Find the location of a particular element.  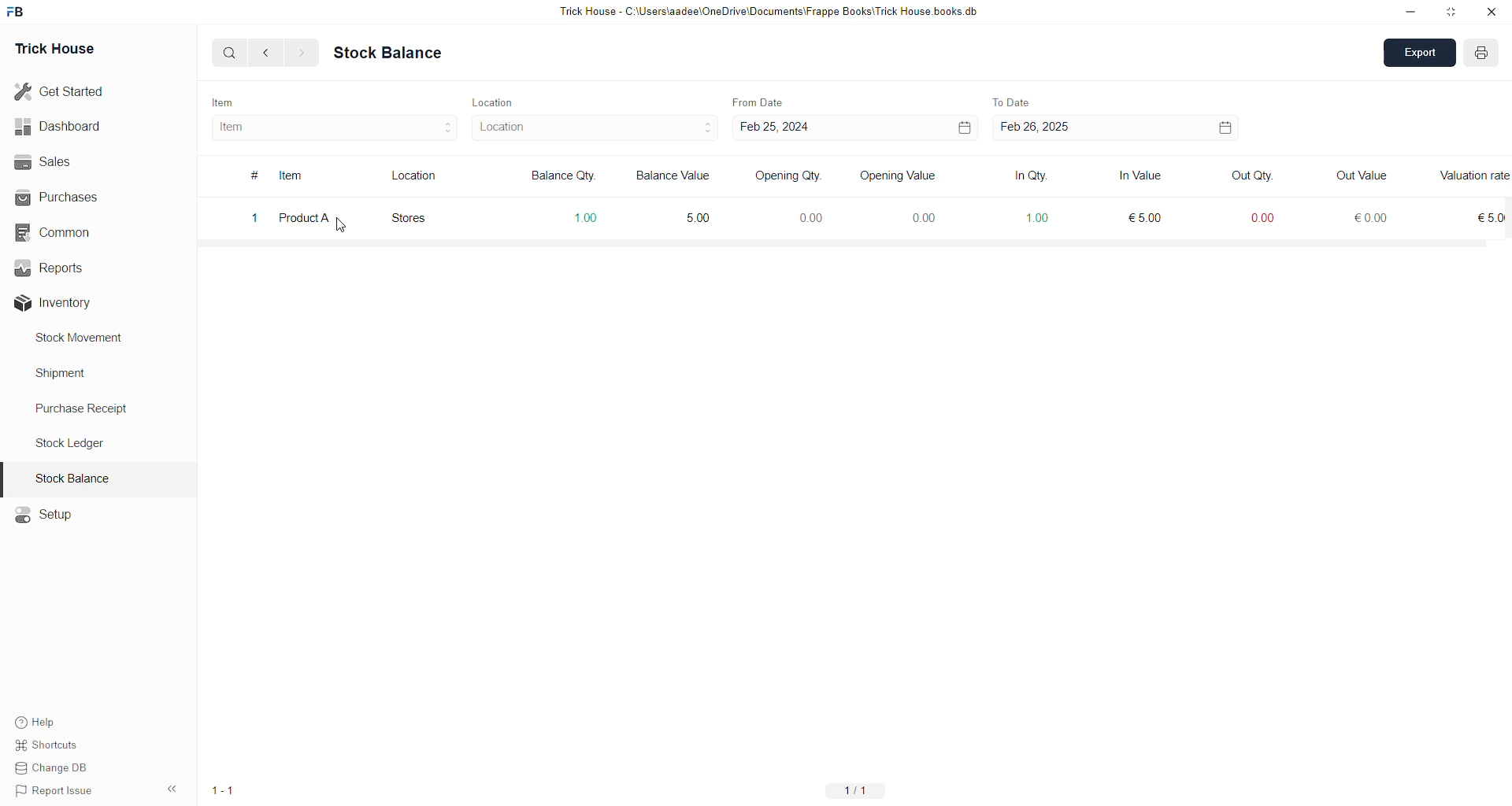

Setup is located at coordinates (52, 519).